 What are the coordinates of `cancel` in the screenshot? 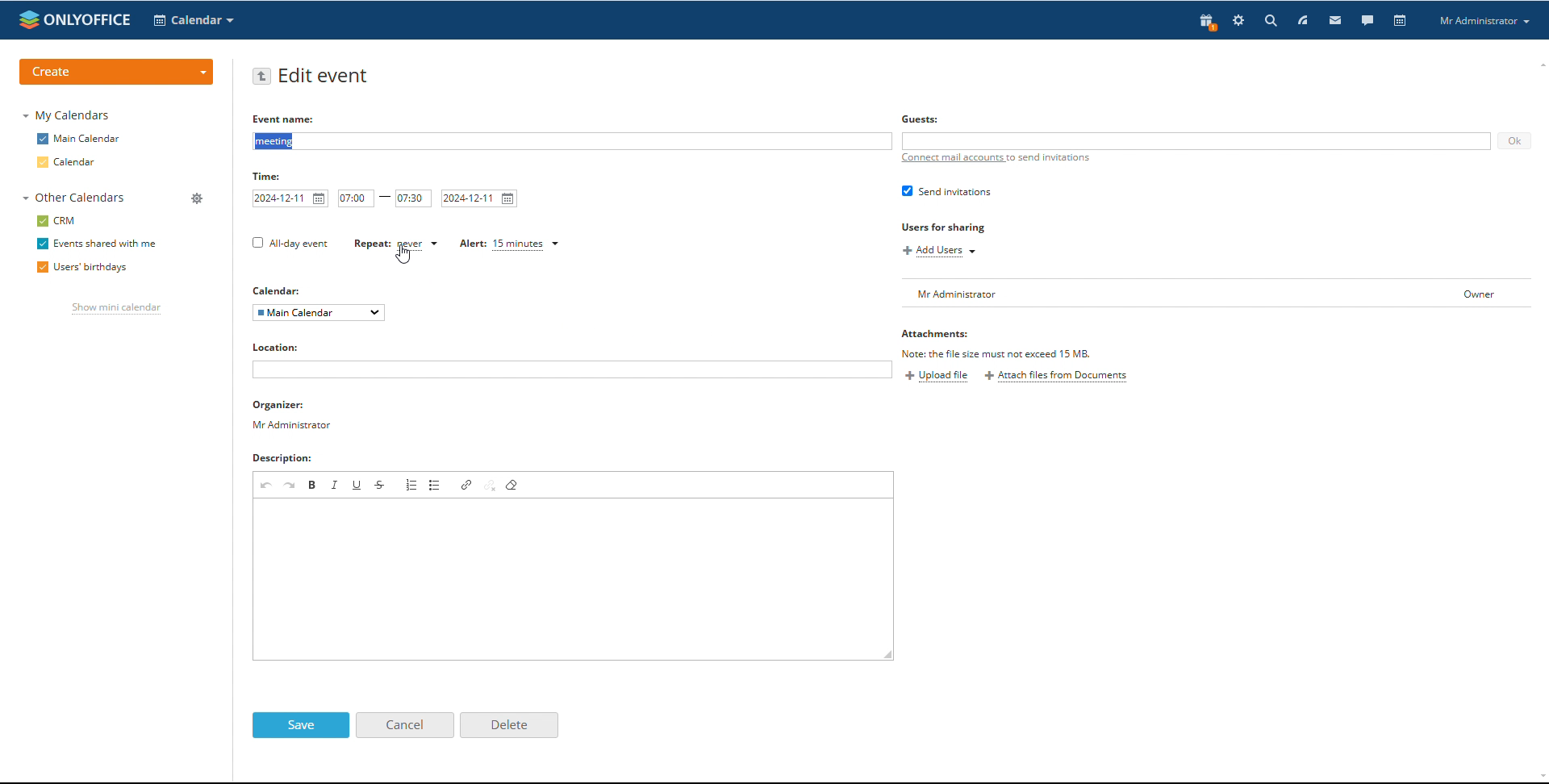 It's located at (404, 725).